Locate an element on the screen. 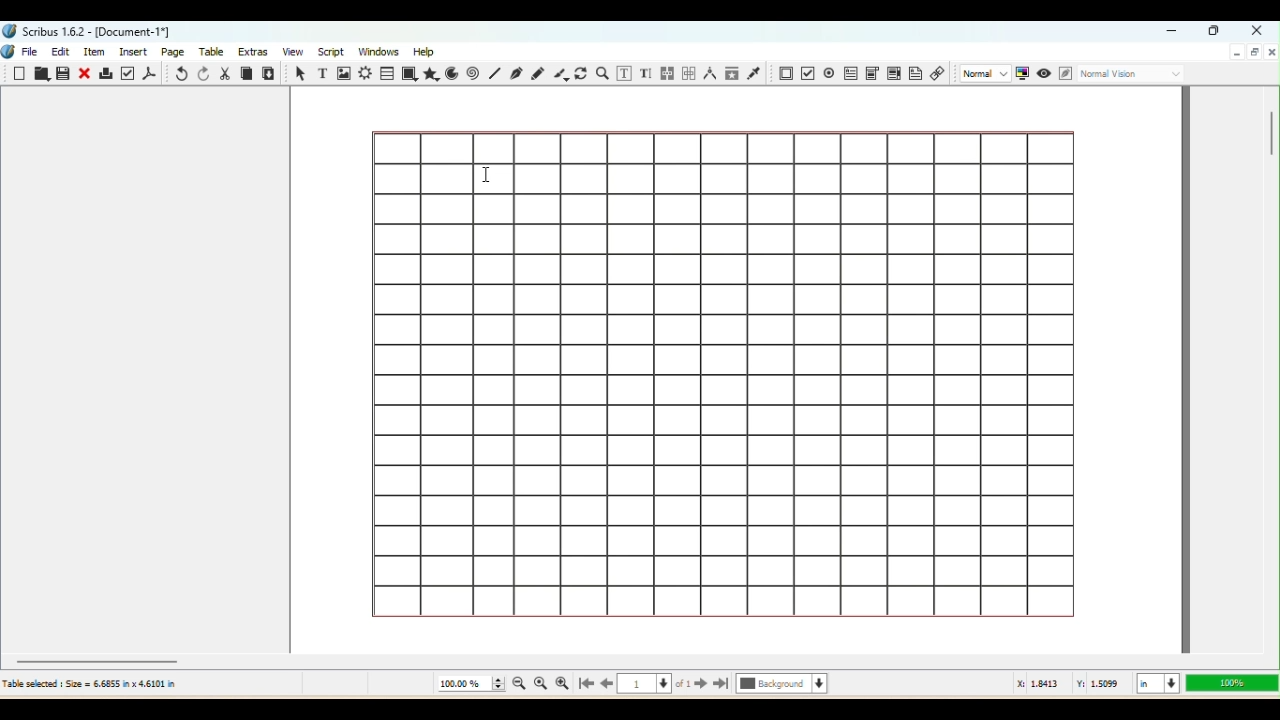 This screenshot has width=1280, height=720. Line is located at coordinates (494, 74).